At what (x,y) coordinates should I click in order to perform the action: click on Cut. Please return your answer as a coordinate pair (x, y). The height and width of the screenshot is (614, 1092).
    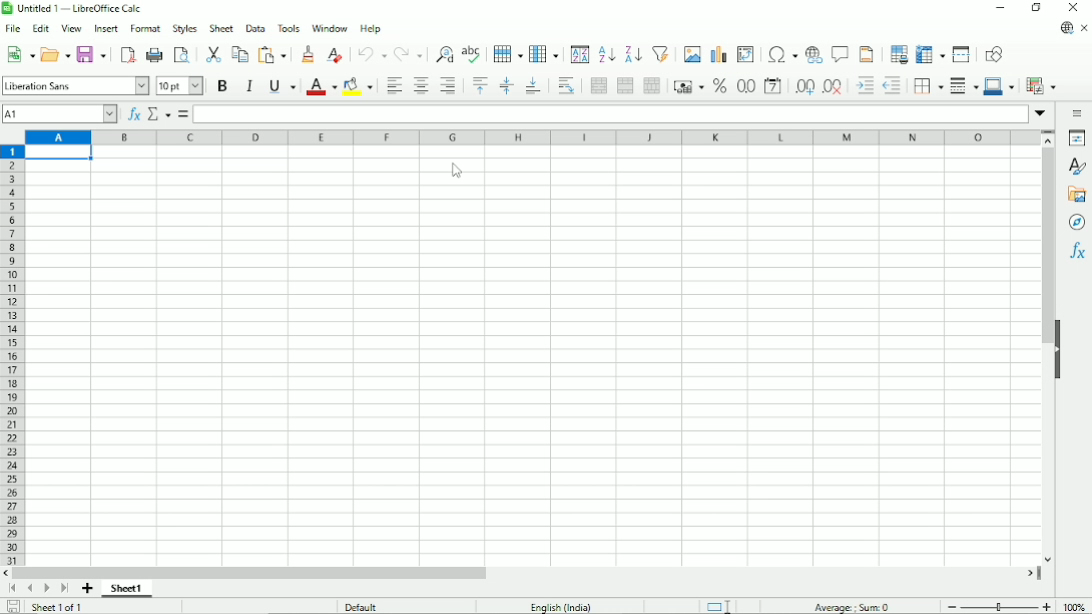
    Looking at the image, I should click on (212, 53).